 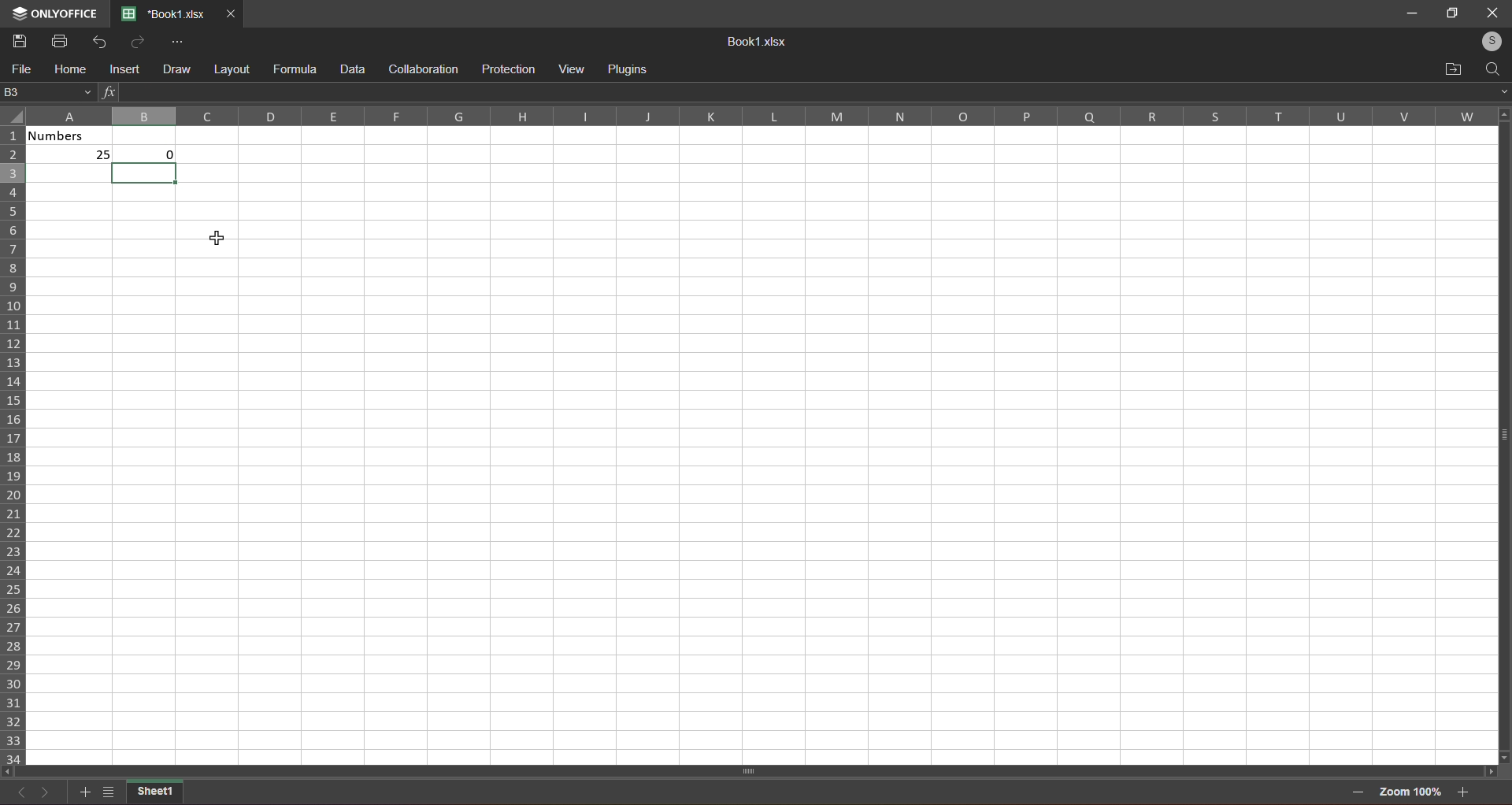 I want to click on current tab, so click(x=164, y=14).